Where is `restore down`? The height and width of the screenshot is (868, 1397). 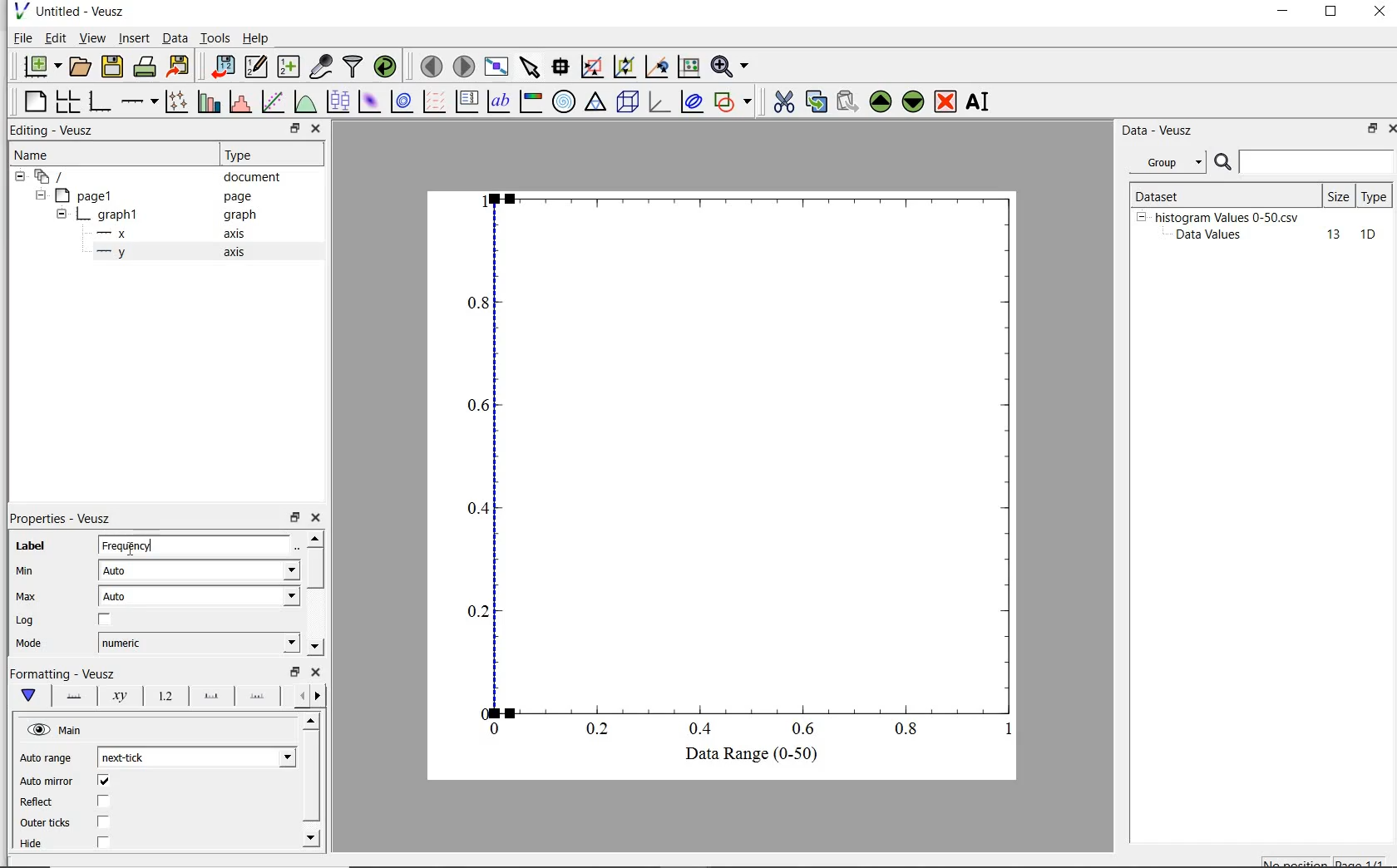 restore down is located at coordinates (295, 672).